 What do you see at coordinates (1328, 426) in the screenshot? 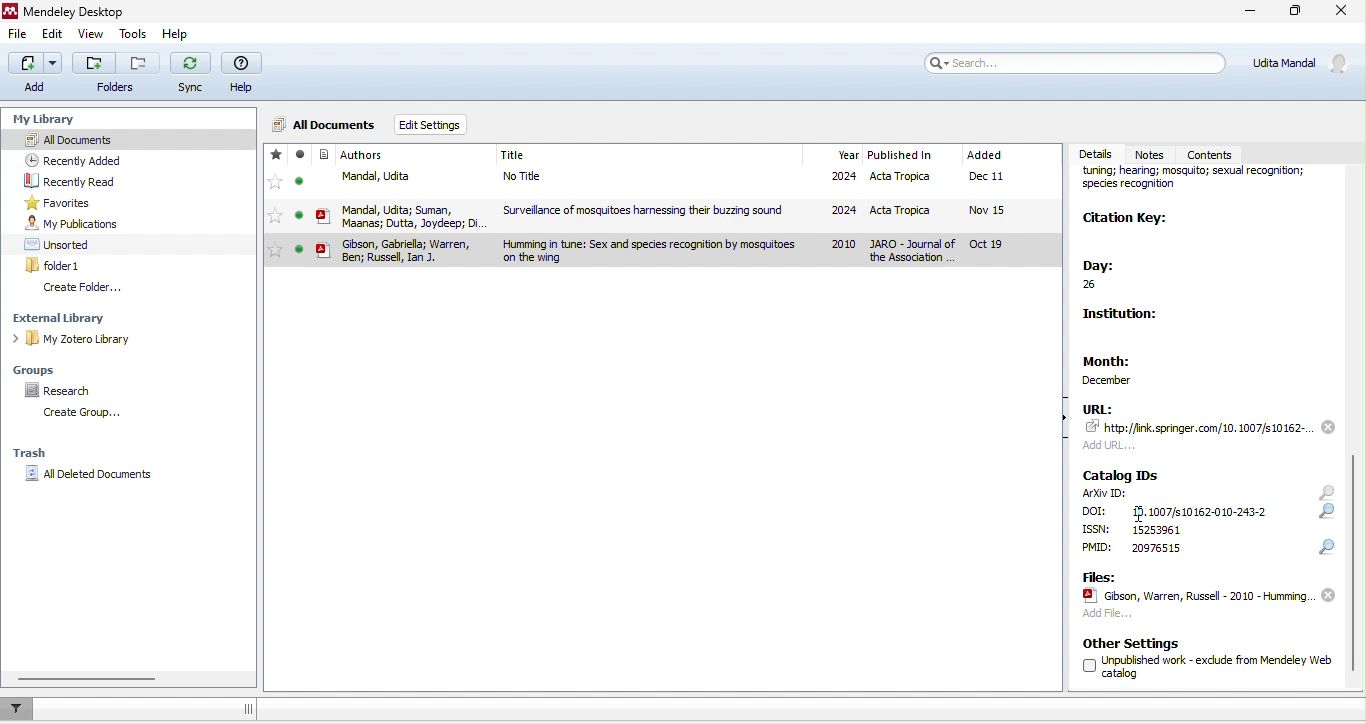
I see `remove` at bounding box center [1328, 426].